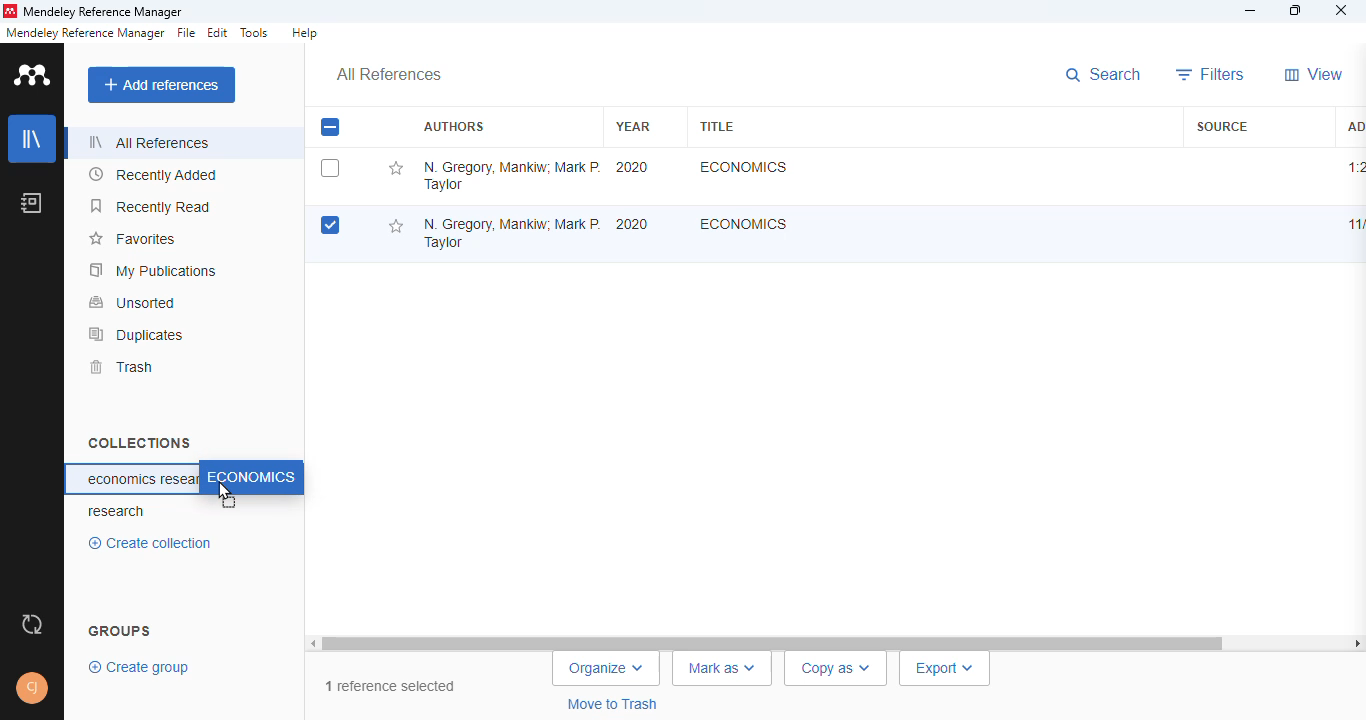 Image resolution: width=1366 pixels, height=720 pixels. What do you see at coordinates (121, 629) in the screenshot?
I see `groups` at bounding box center [121, 629].